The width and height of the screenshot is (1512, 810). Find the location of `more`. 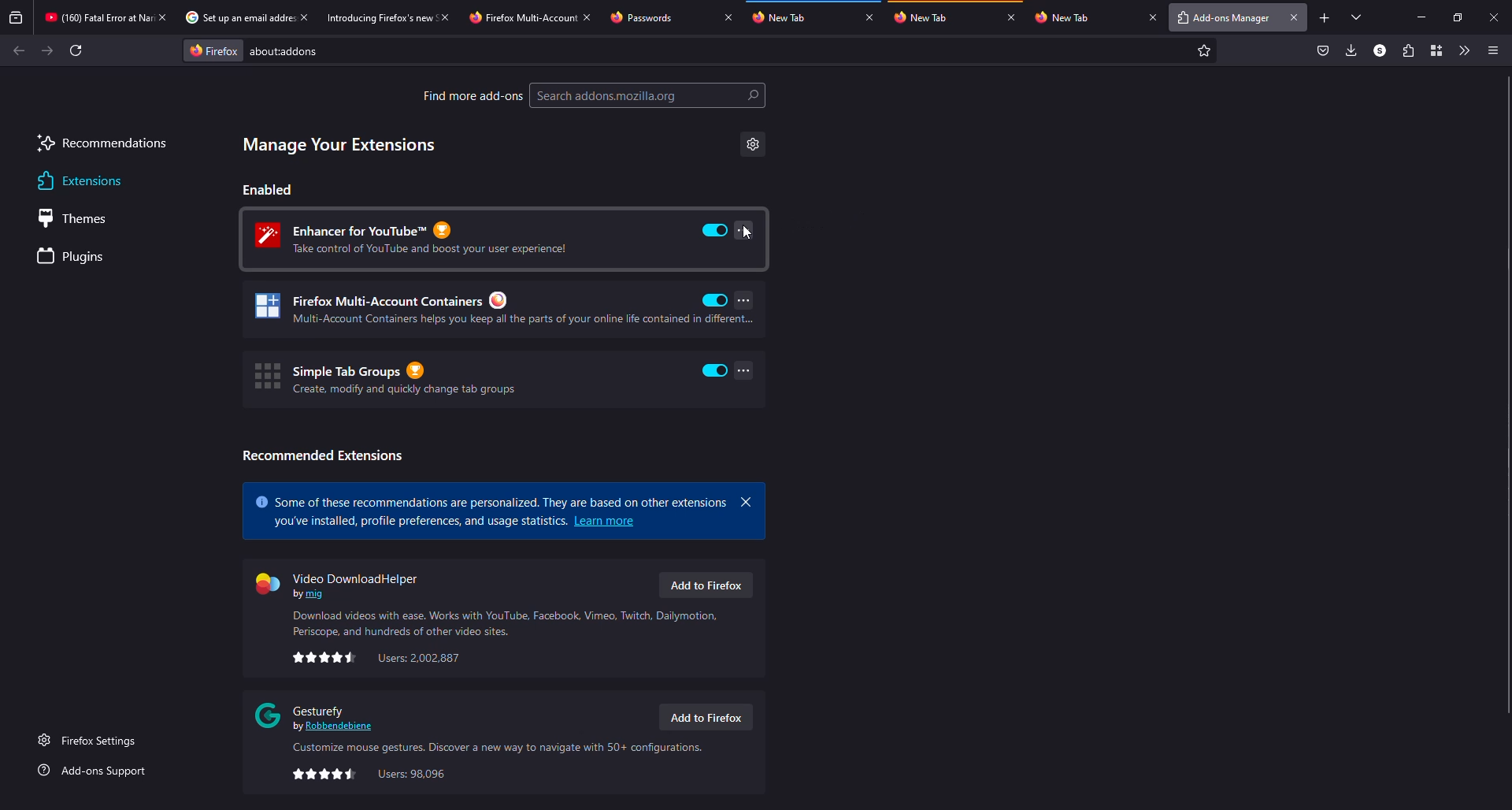

more is located at coordinates (745, 370).